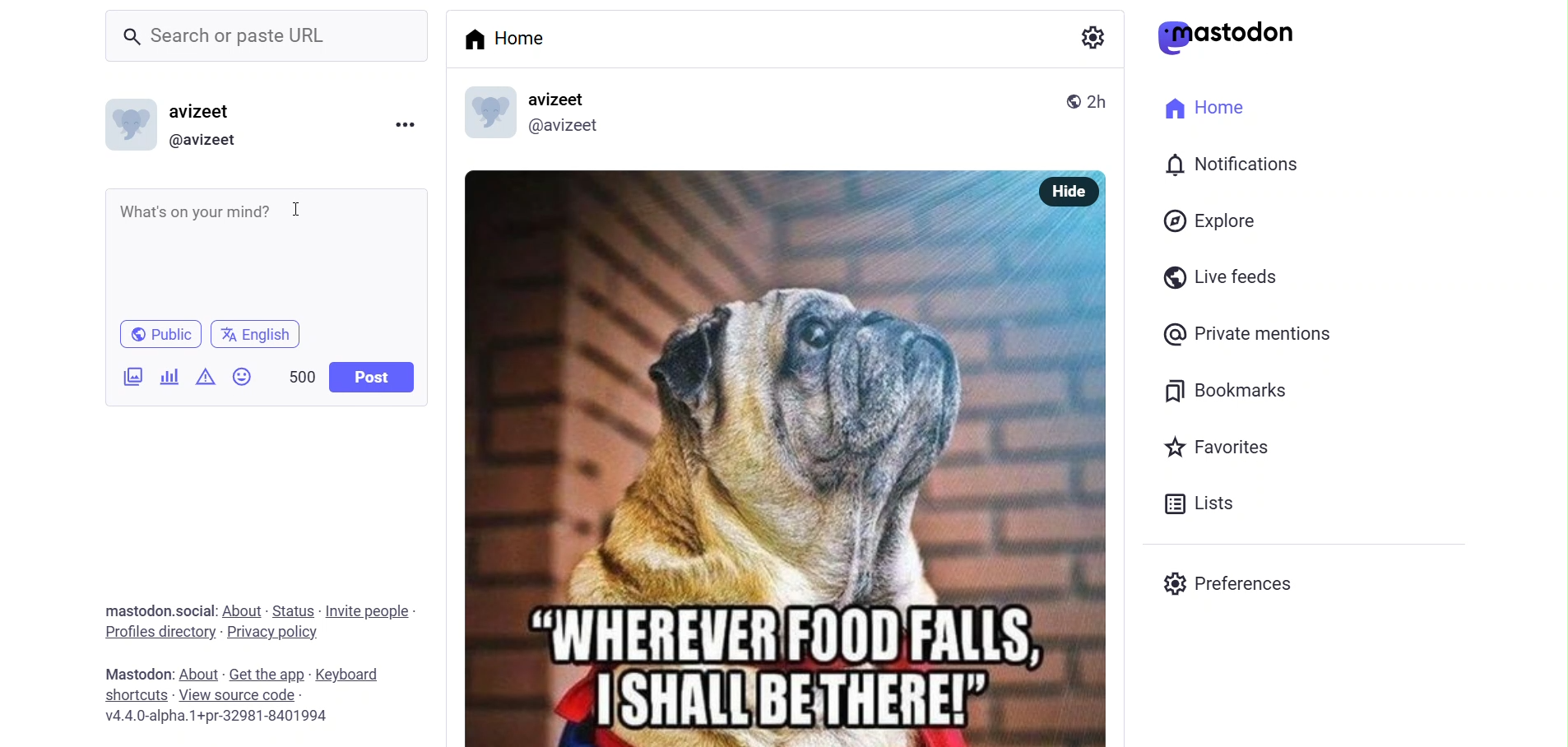  What do you see at coordinates (239, 694) in the screenshot?
I see `source code` at bounding box center [239, 694].